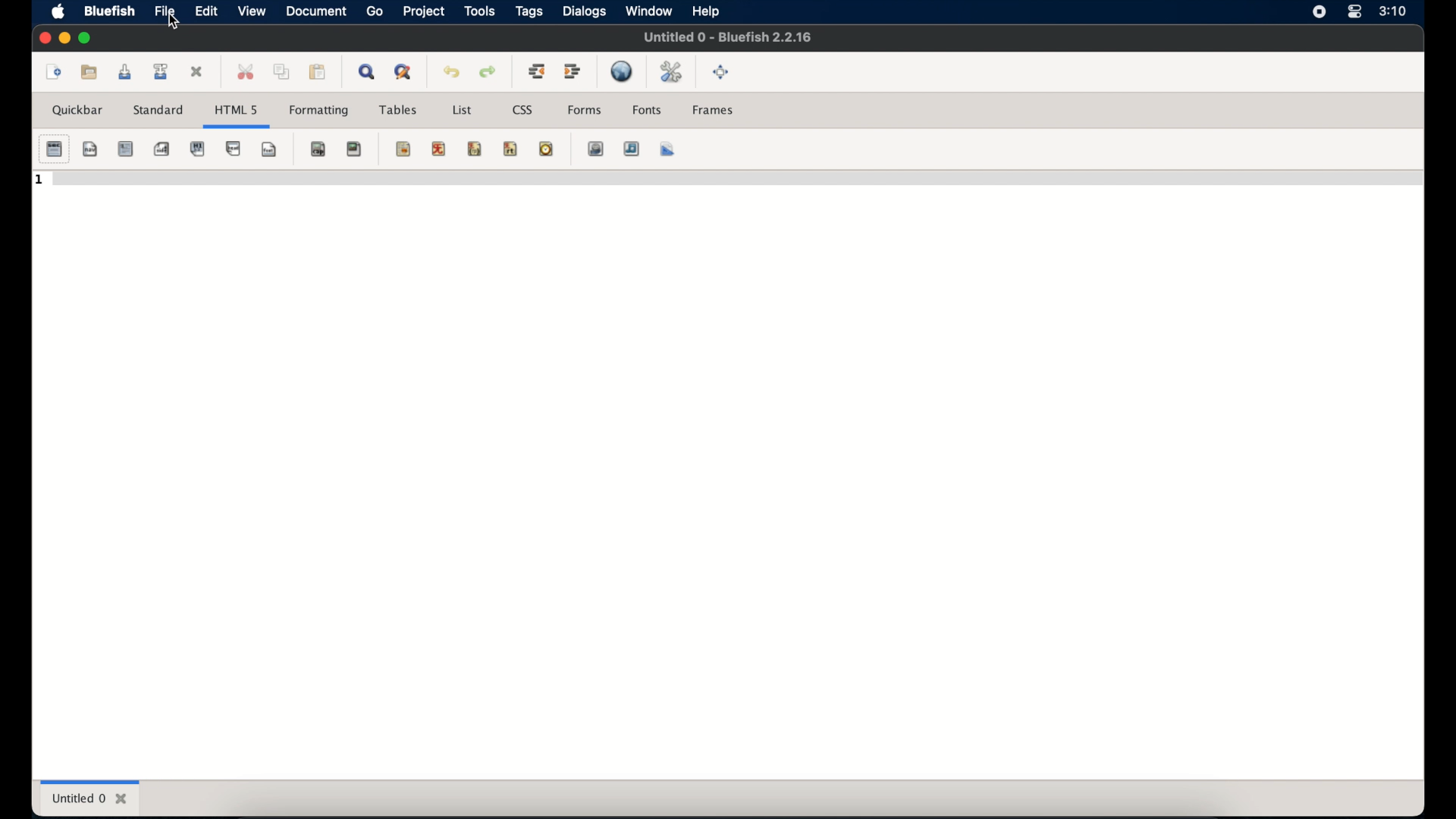  What do you see at coordinates (174, 23) in the screenshot?
I see `cursor` at bounding box center [174, 23].